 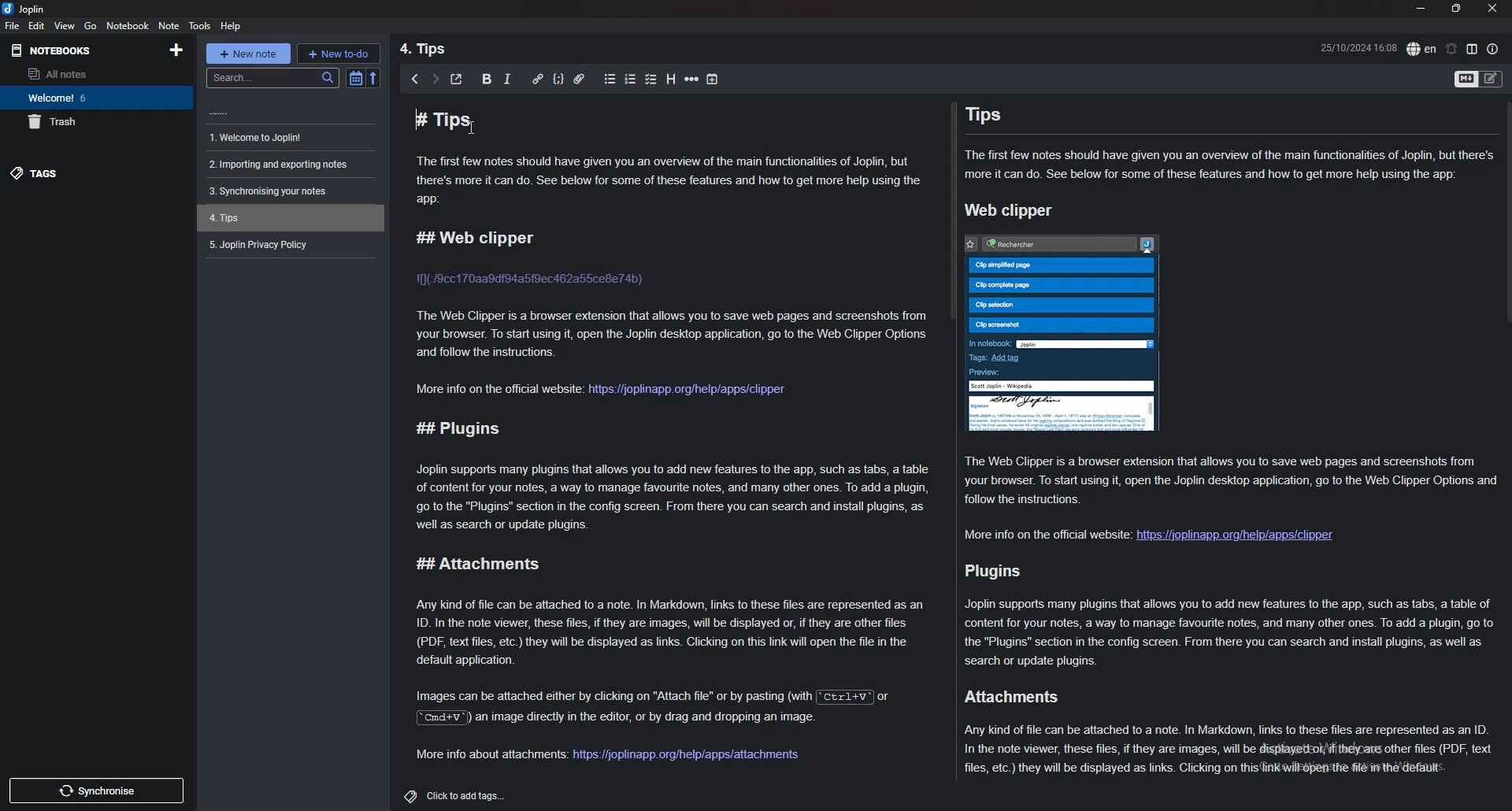 I want to click on note properties, so click(x=1492, y=49).